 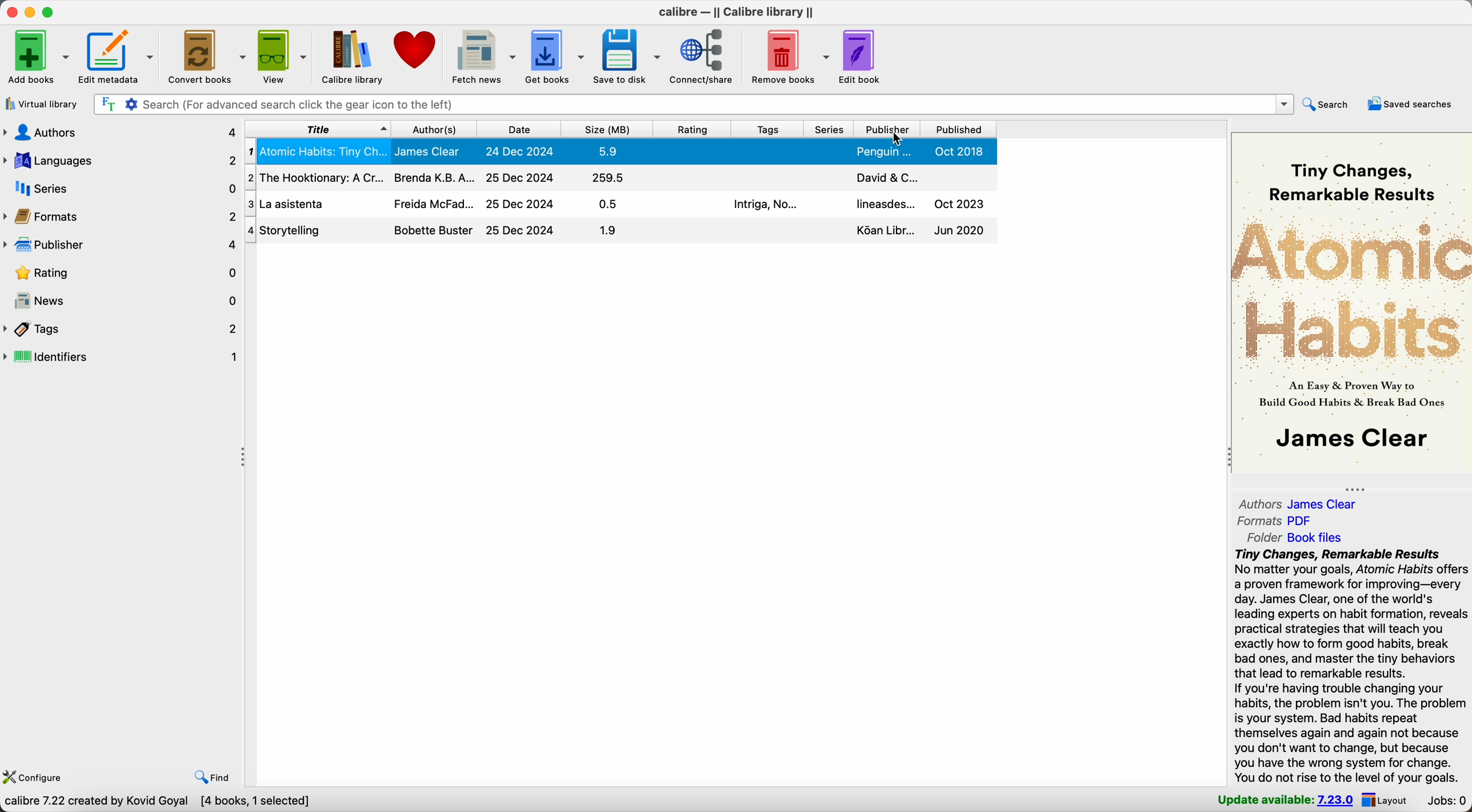 What do you see at coordinates (958, 151) in the screenshot?
I see `oct 2018` at bounding box center [958, 151].